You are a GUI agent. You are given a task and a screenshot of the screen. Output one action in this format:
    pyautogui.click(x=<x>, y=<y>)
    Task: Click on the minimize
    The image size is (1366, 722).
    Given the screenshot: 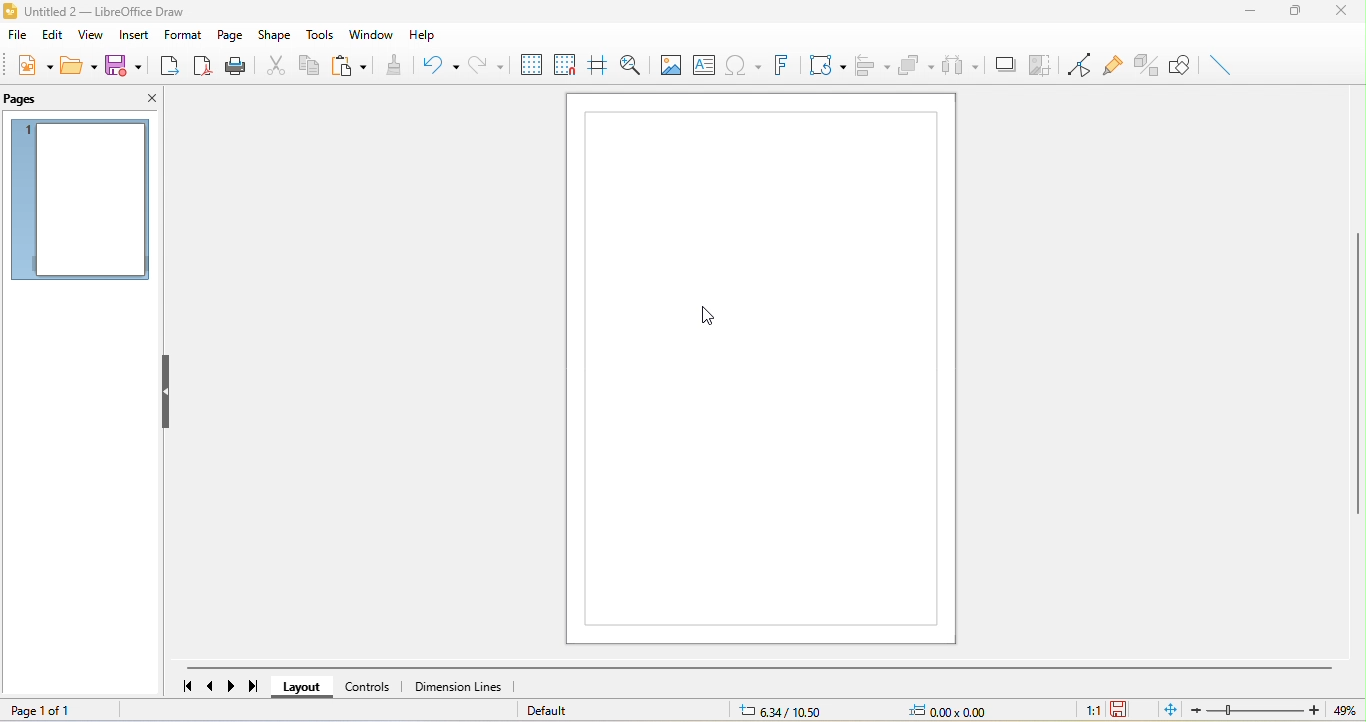 What is the action you would take?
    pyautogui.click(x=1250, y=11)
    